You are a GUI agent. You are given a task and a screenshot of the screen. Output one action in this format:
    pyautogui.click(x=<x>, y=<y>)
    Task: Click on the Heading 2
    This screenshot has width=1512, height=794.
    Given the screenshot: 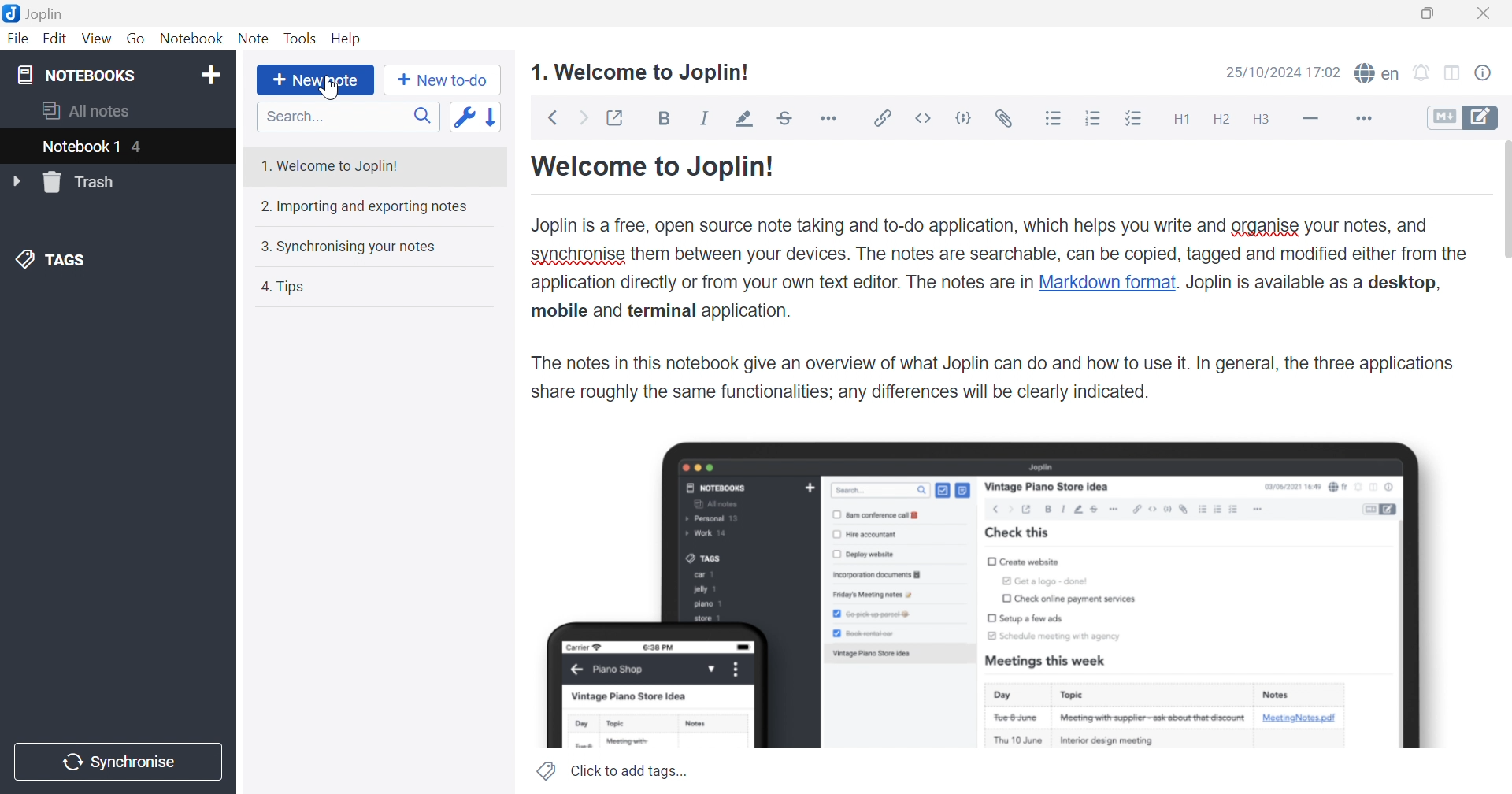 What is the action you would take?
    pyautogui.click(x=1223, y=118)
    